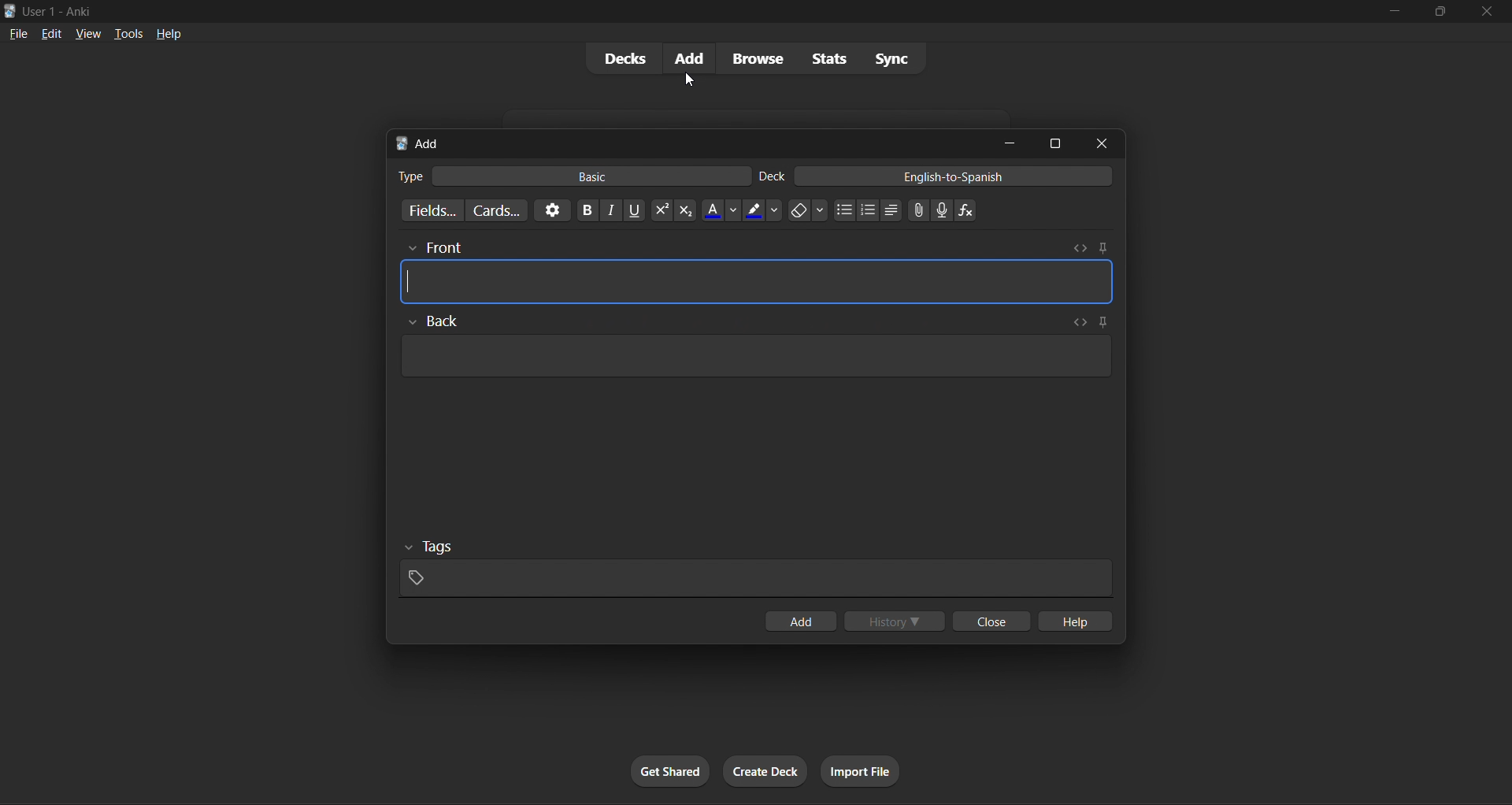 Image resolution: width=1512 pixels, height=805 pixels. What do you see at coordinates (47, 31) in the screenshot?
I see `edit` at bounding box center [47, 31].